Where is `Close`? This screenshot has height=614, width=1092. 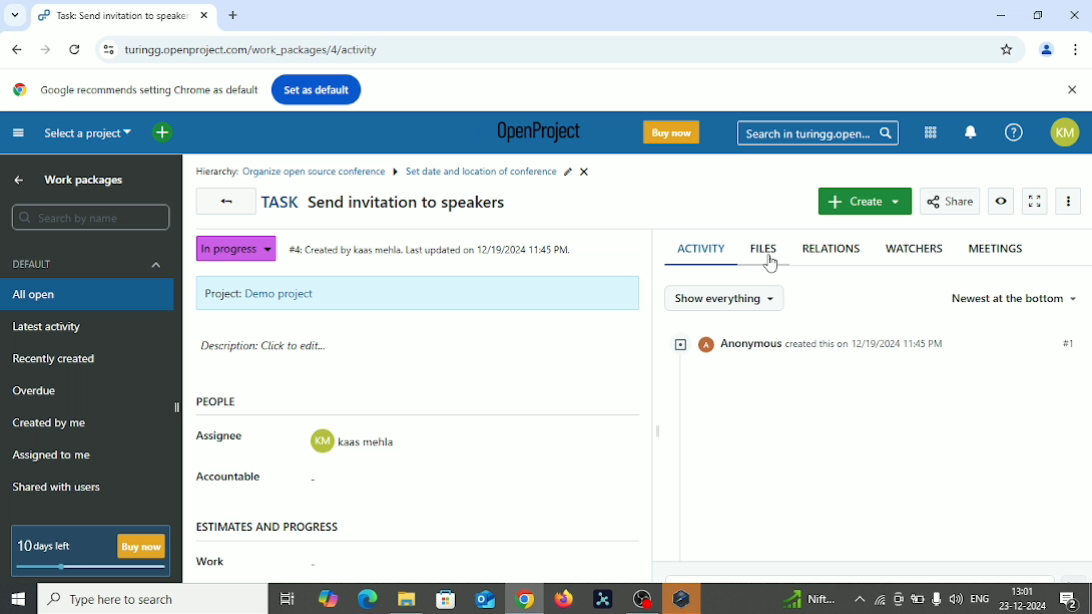
Close is located at coordinates (1074, 16).